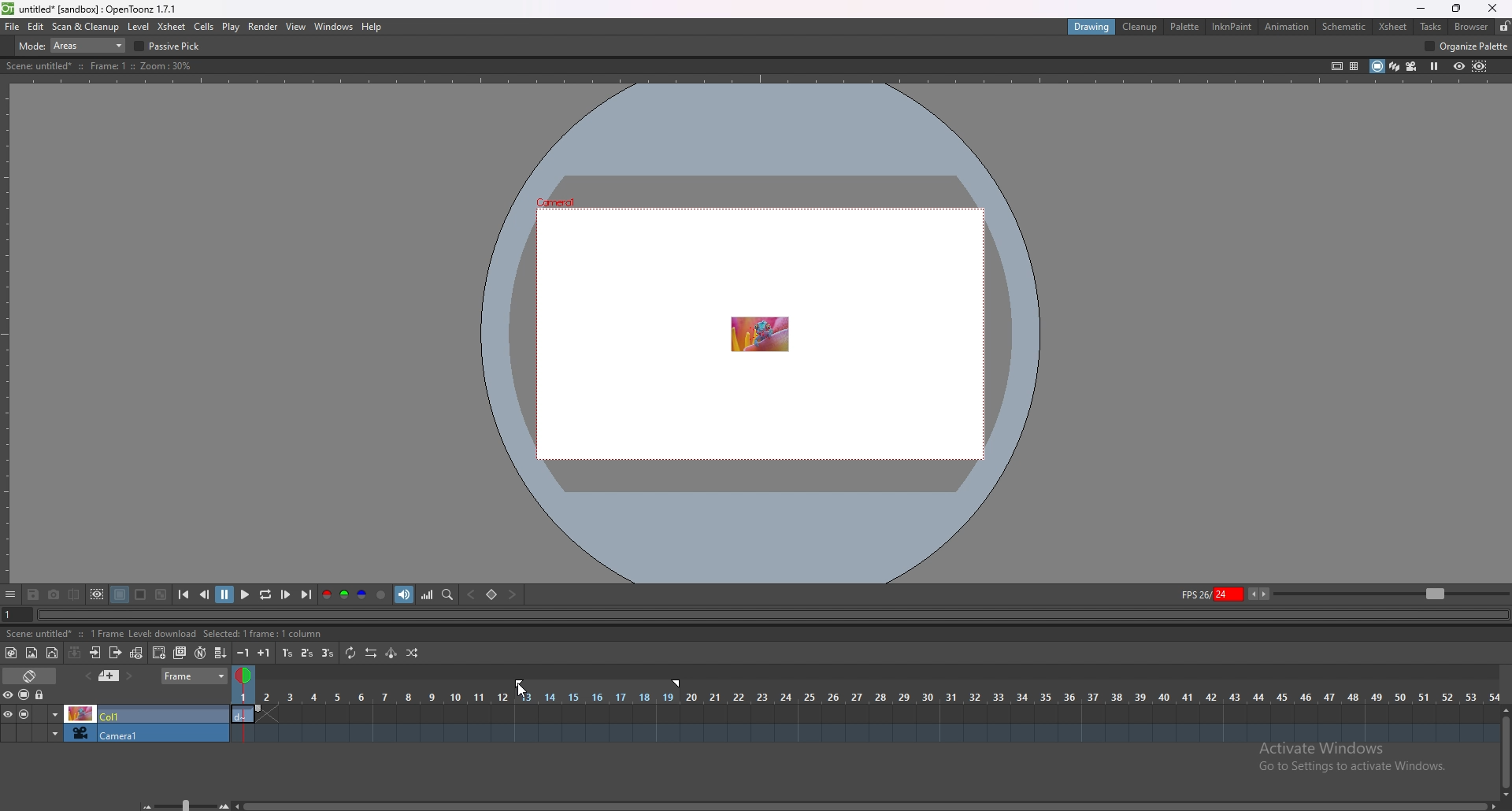  I want to click on timeline, so click(865, 713).